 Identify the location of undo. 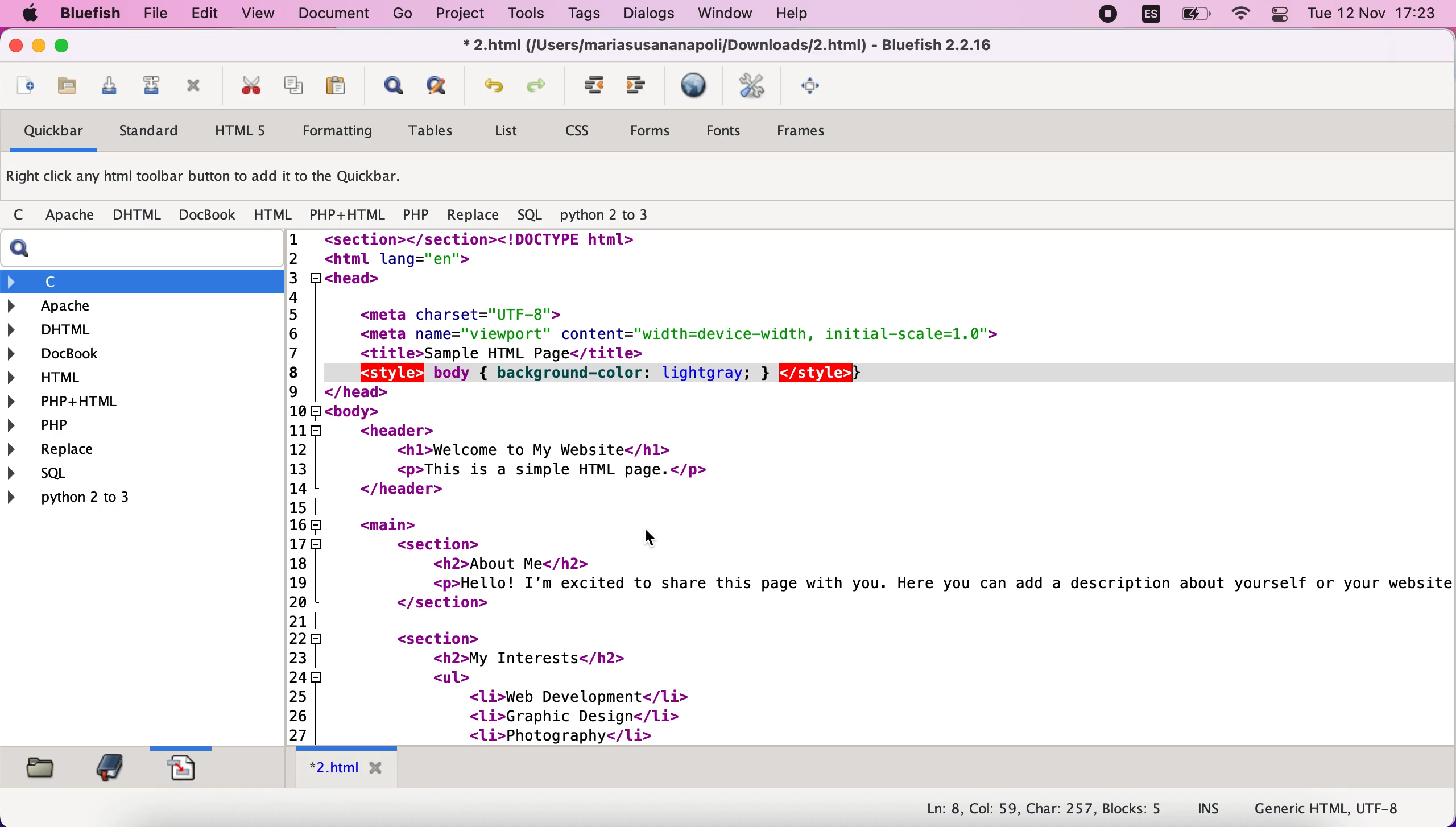
(494, 83).